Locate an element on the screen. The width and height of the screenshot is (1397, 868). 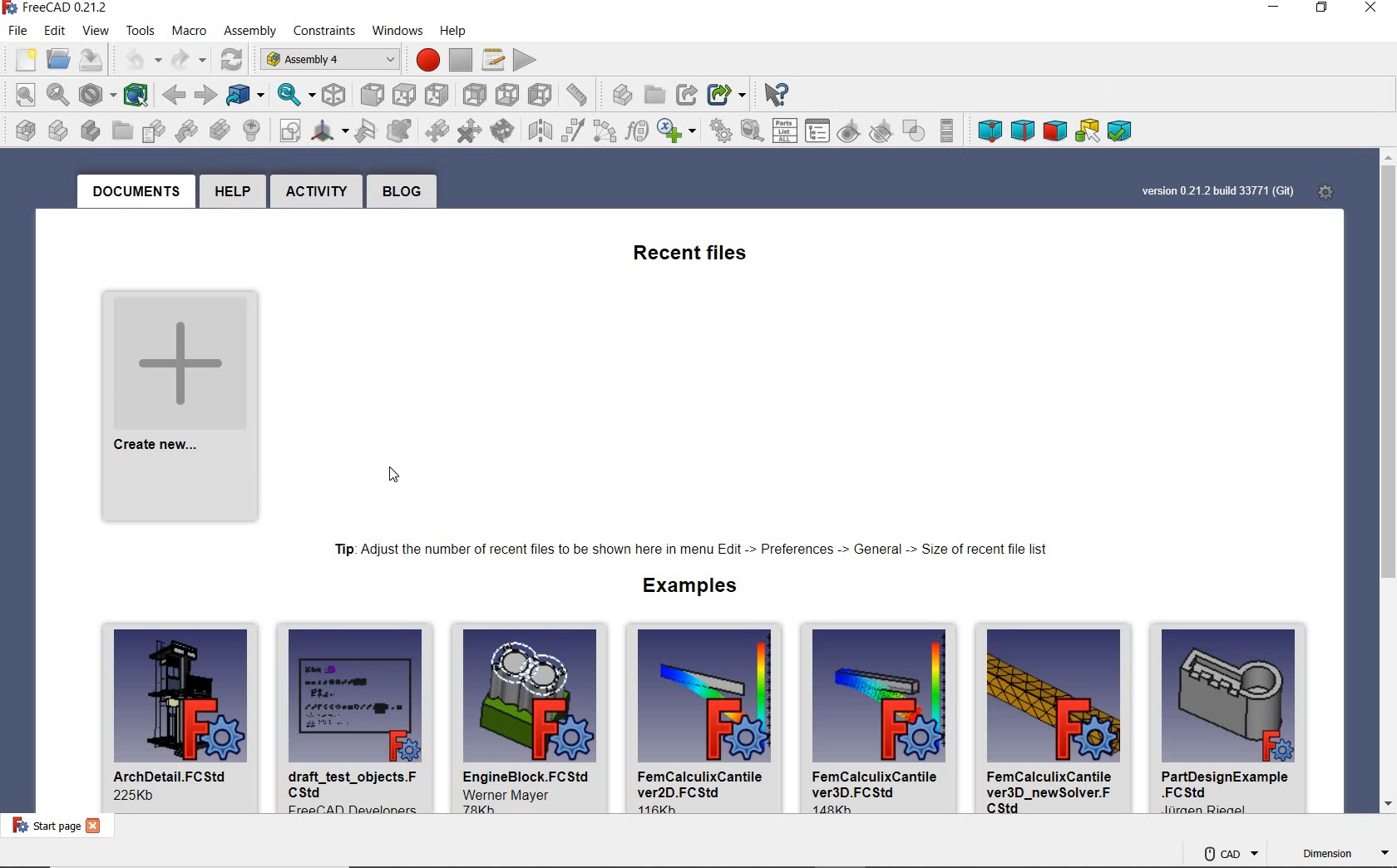
new group is located at coordinates (120, 129).